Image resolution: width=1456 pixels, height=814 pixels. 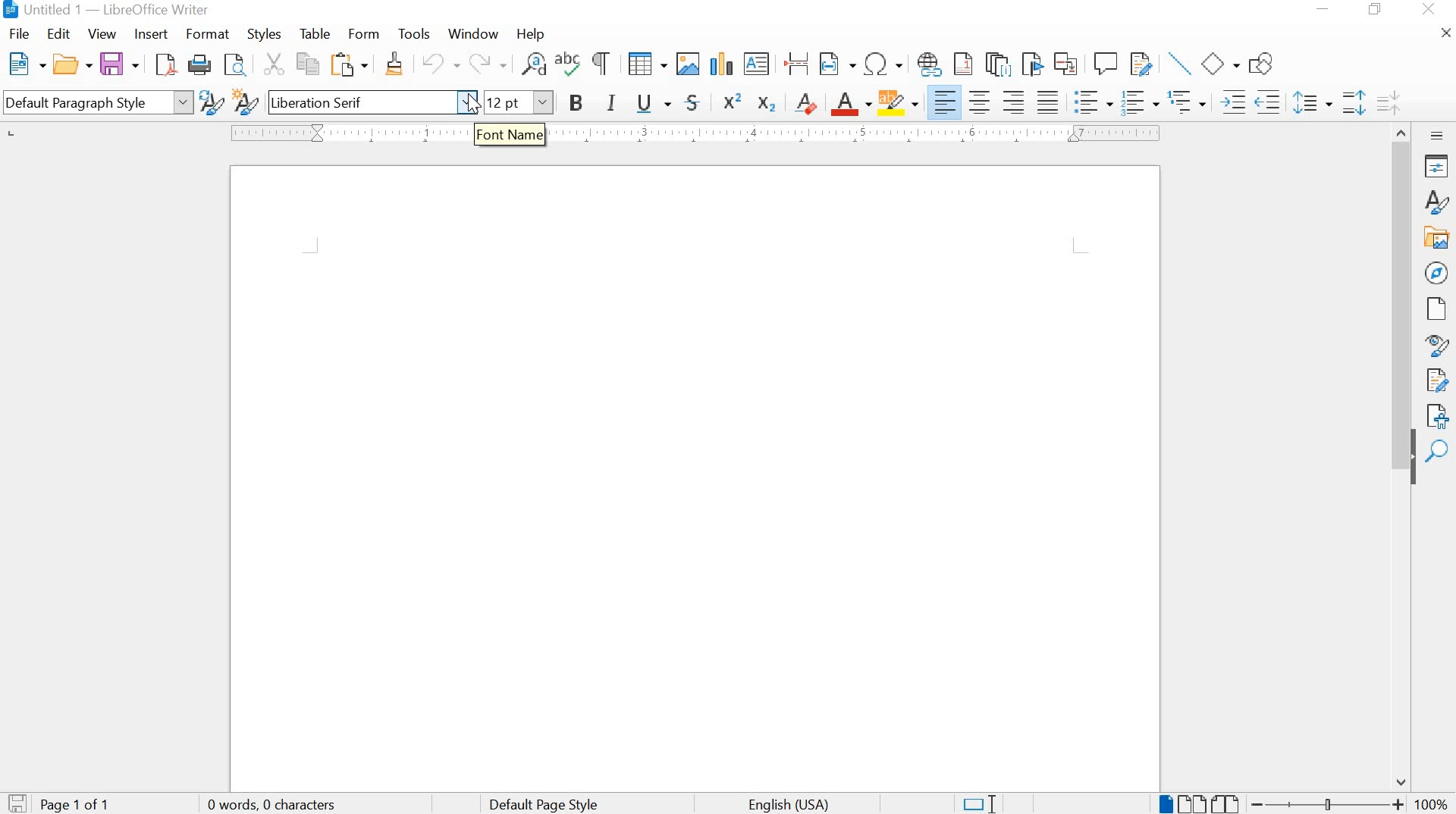 What do you see at coordinates (1439, 379) in the screenshot?
I see `MANAGE CHANGES` at bounding box center [1439, 379].